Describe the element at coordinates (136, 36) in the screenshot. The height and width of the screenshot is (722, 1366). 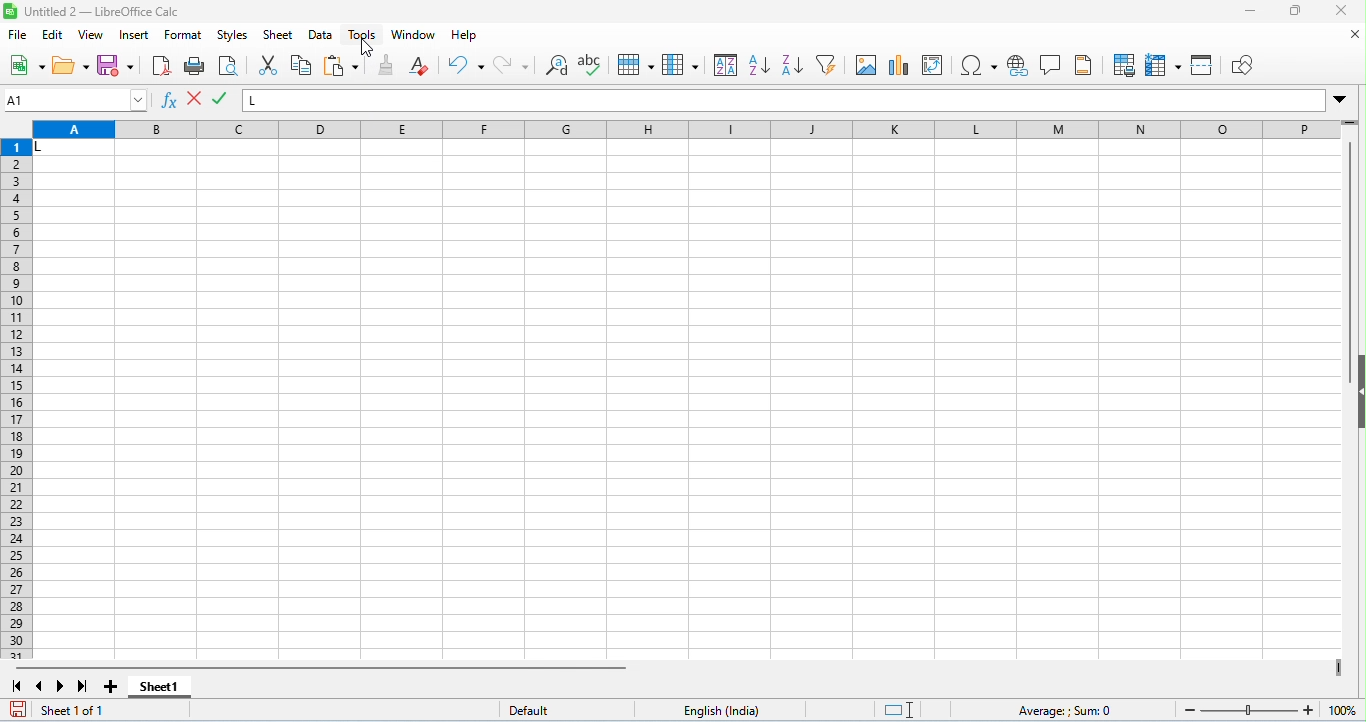
I see `insert` at that location.